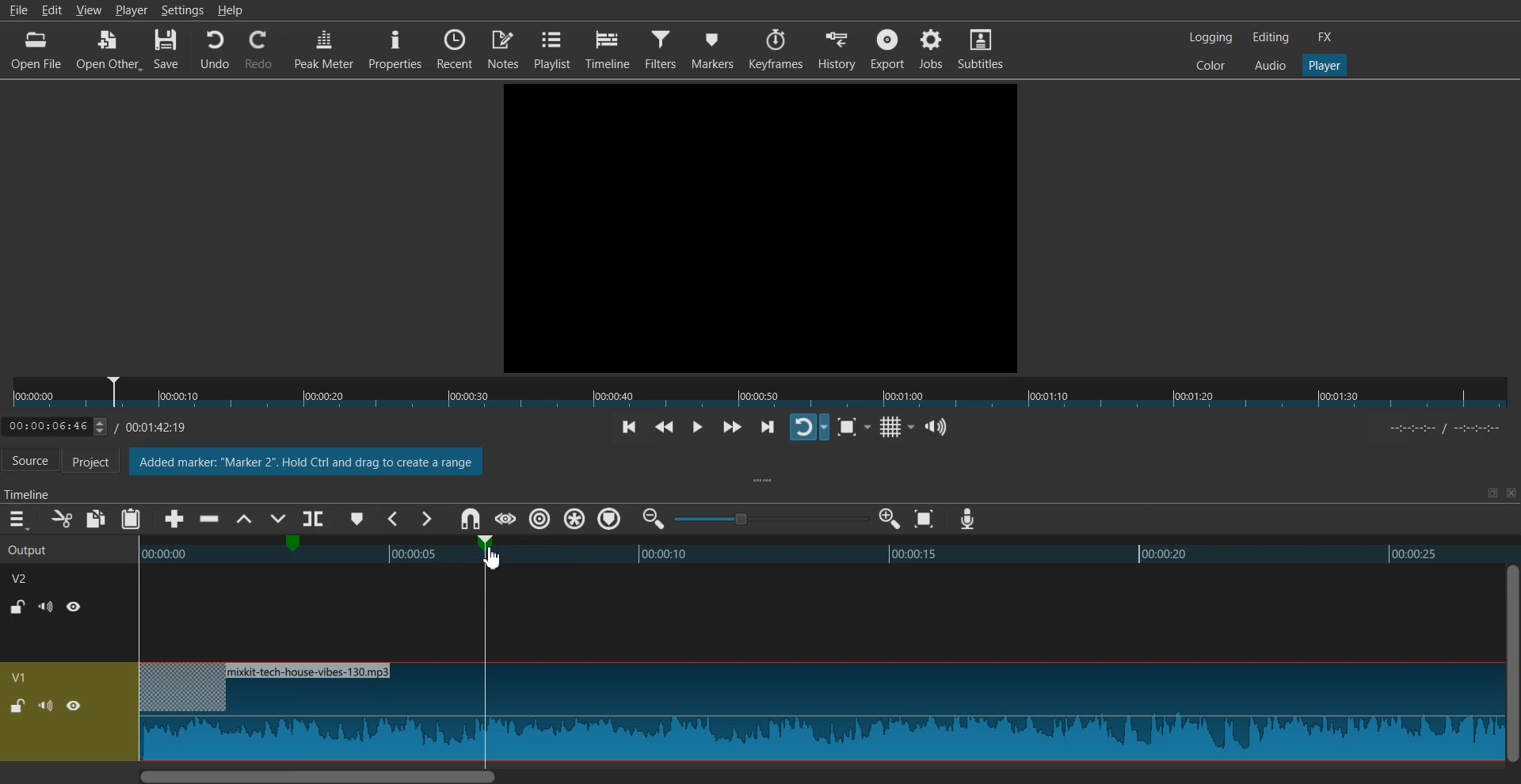 The image size is (1521, 784). What do you see at coordinates (243, 519) in the screenshot?
I see `Lift` at bounding box center [243, 519].